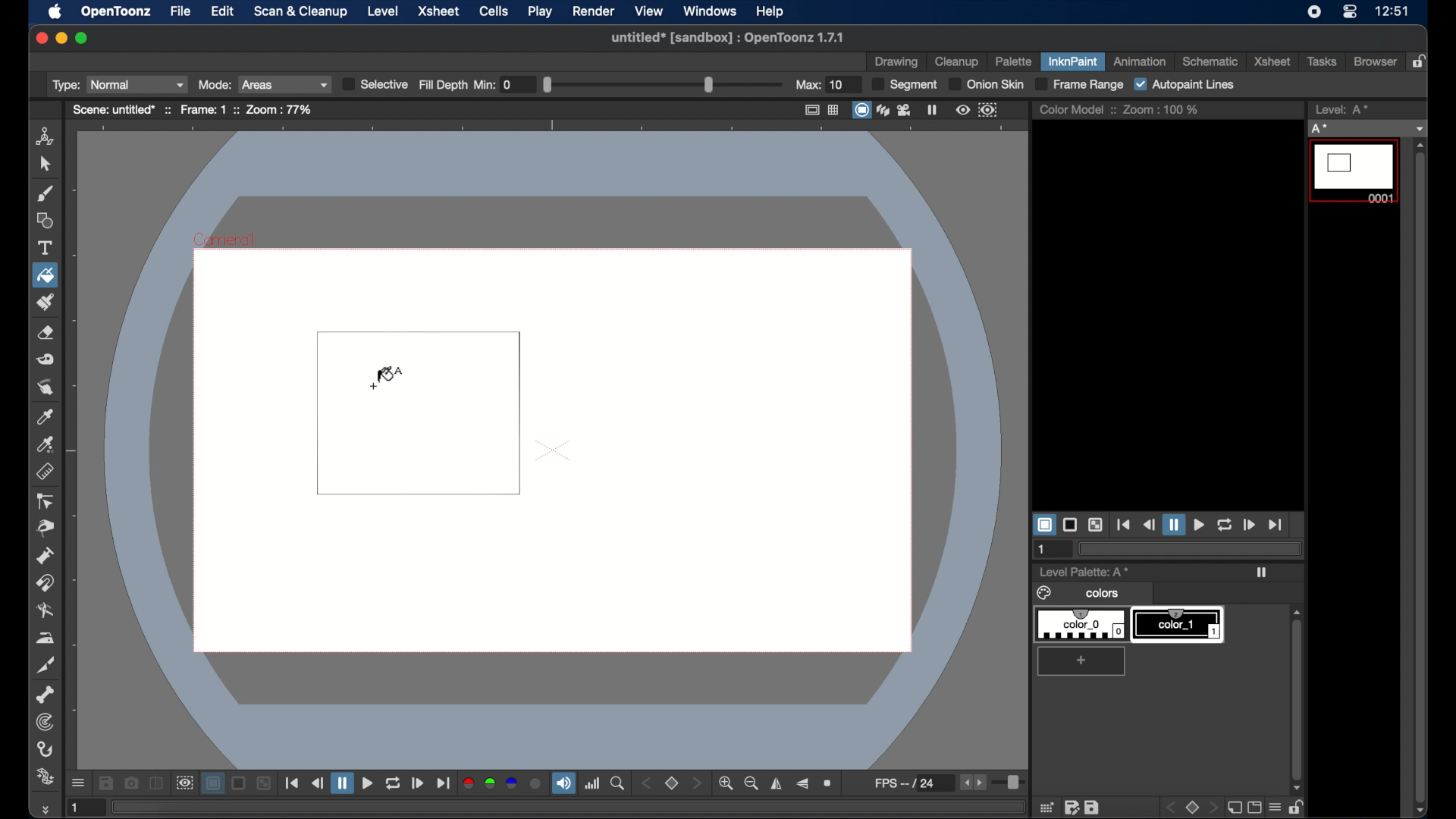 The height and width of the screenshot is (819, 1456). What do you see at coordinates (710, 11) in the screenshot?
I see `windows` at bounding box center [710, 11].